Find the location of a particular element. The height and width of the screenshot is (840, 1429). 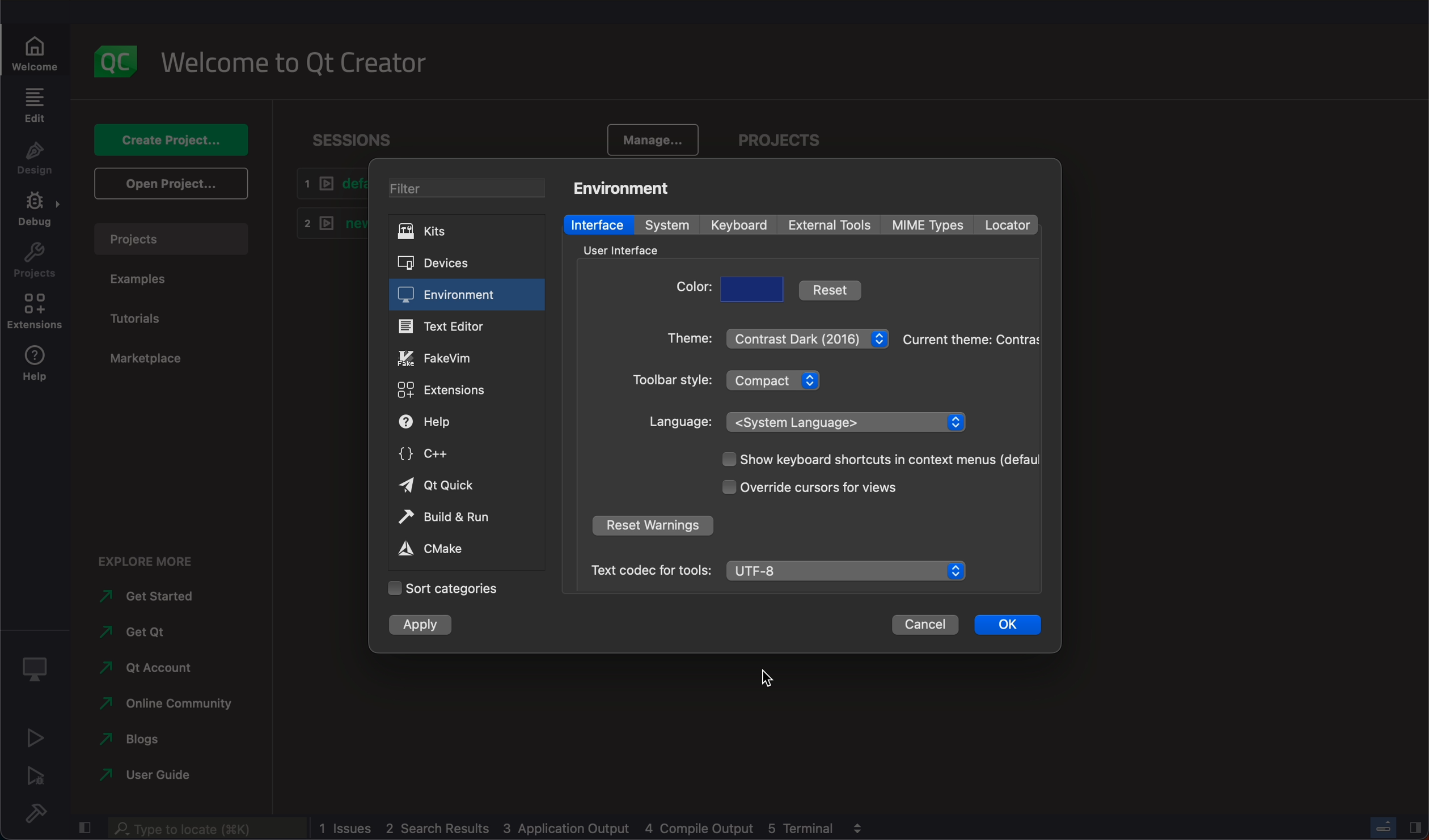

C++ is located at coordinates (462, 452).